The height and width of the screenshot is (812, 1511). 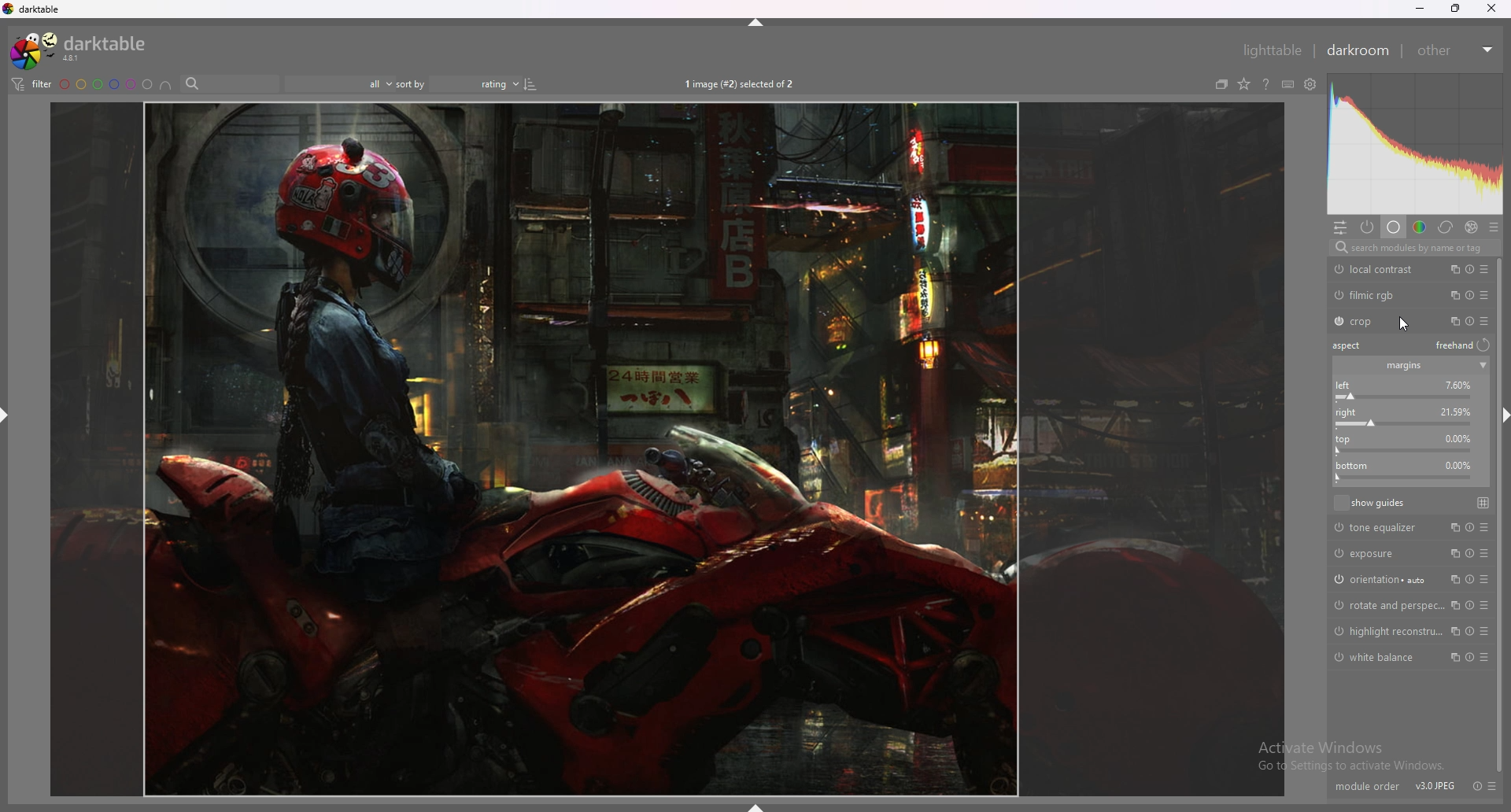 I want to click on active modules, so click(x=1368, y=227).